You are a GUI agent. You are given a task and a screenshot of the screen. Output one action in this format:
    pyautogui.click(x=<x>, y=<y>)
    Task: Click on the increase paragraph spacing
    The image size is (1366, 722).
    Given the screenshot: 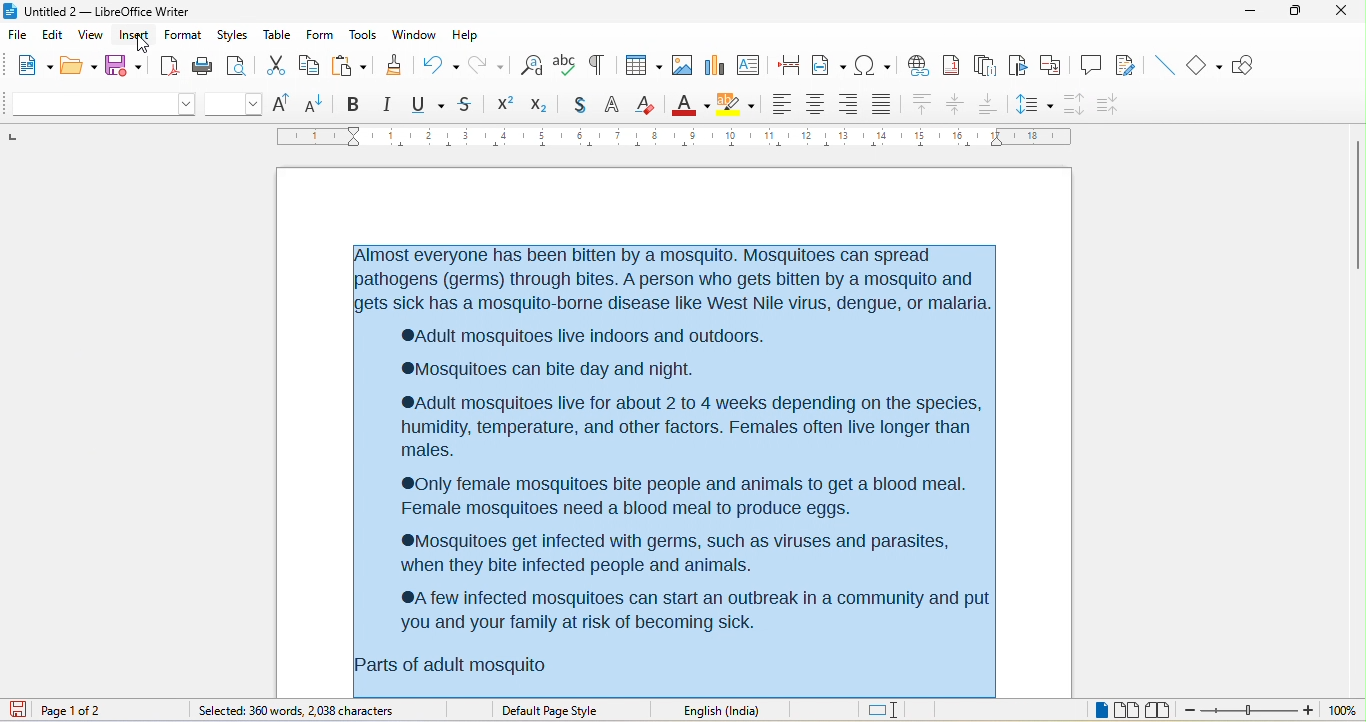 What is the action you would take?
    pyautogui.click(x=1075, y=105)
    